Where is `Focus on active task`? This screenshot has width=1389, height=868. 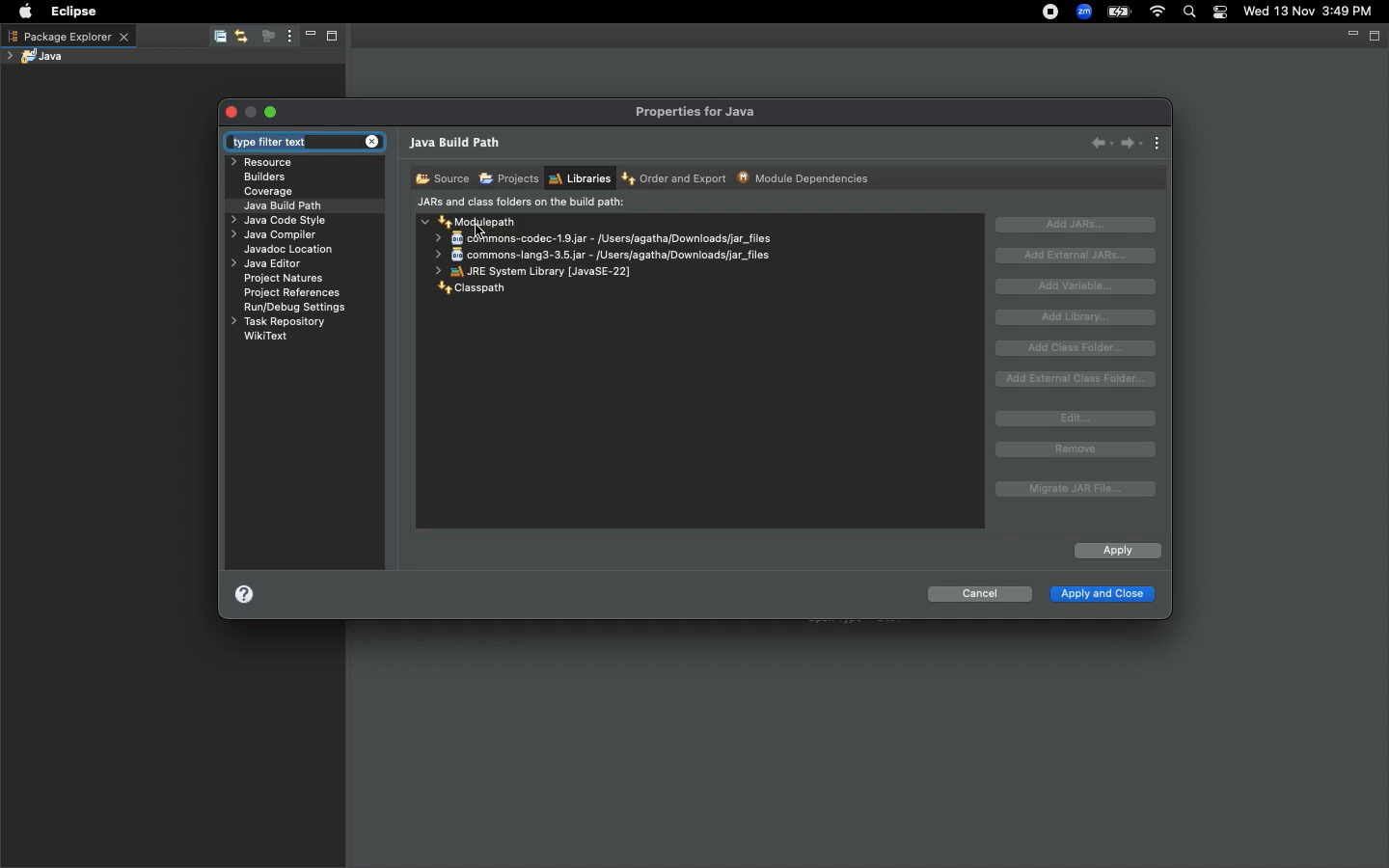
Focus on active task is located at coordinates (266, 38).